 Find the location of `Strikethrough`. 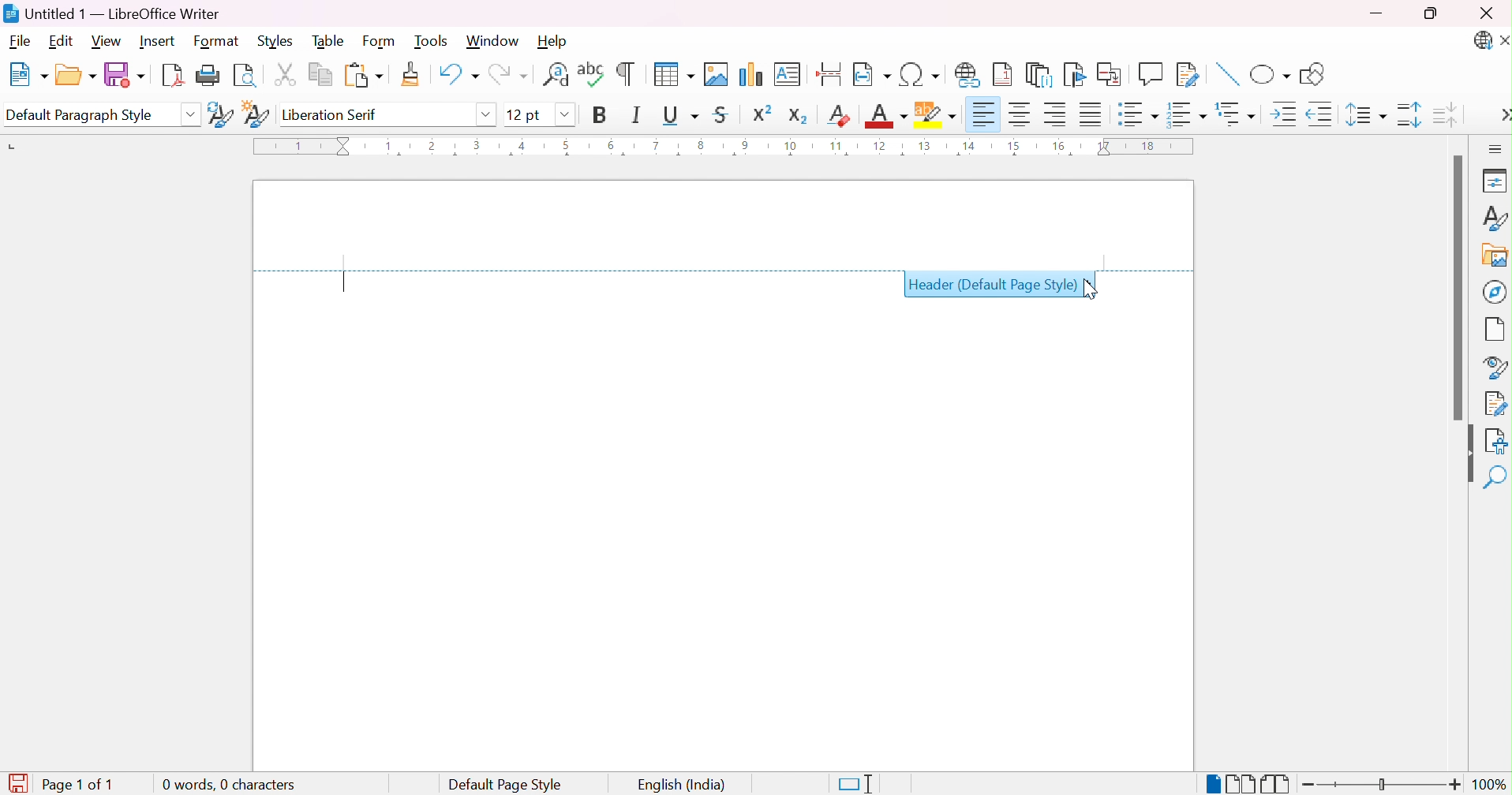

Strikethrough is located at coordinates (722, 114).